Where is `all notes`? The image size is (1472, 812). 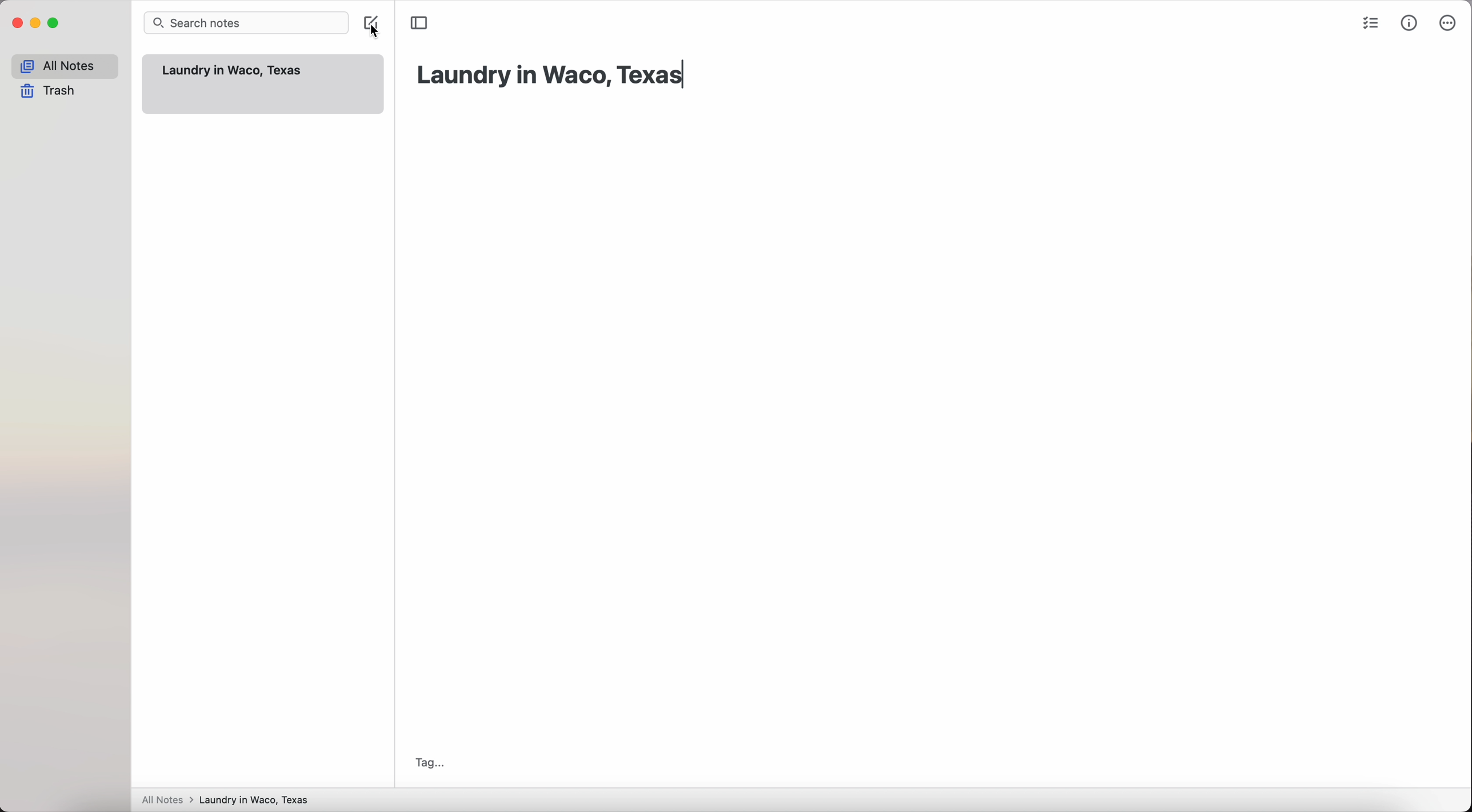
all notes is located at coordinates (65, 66).